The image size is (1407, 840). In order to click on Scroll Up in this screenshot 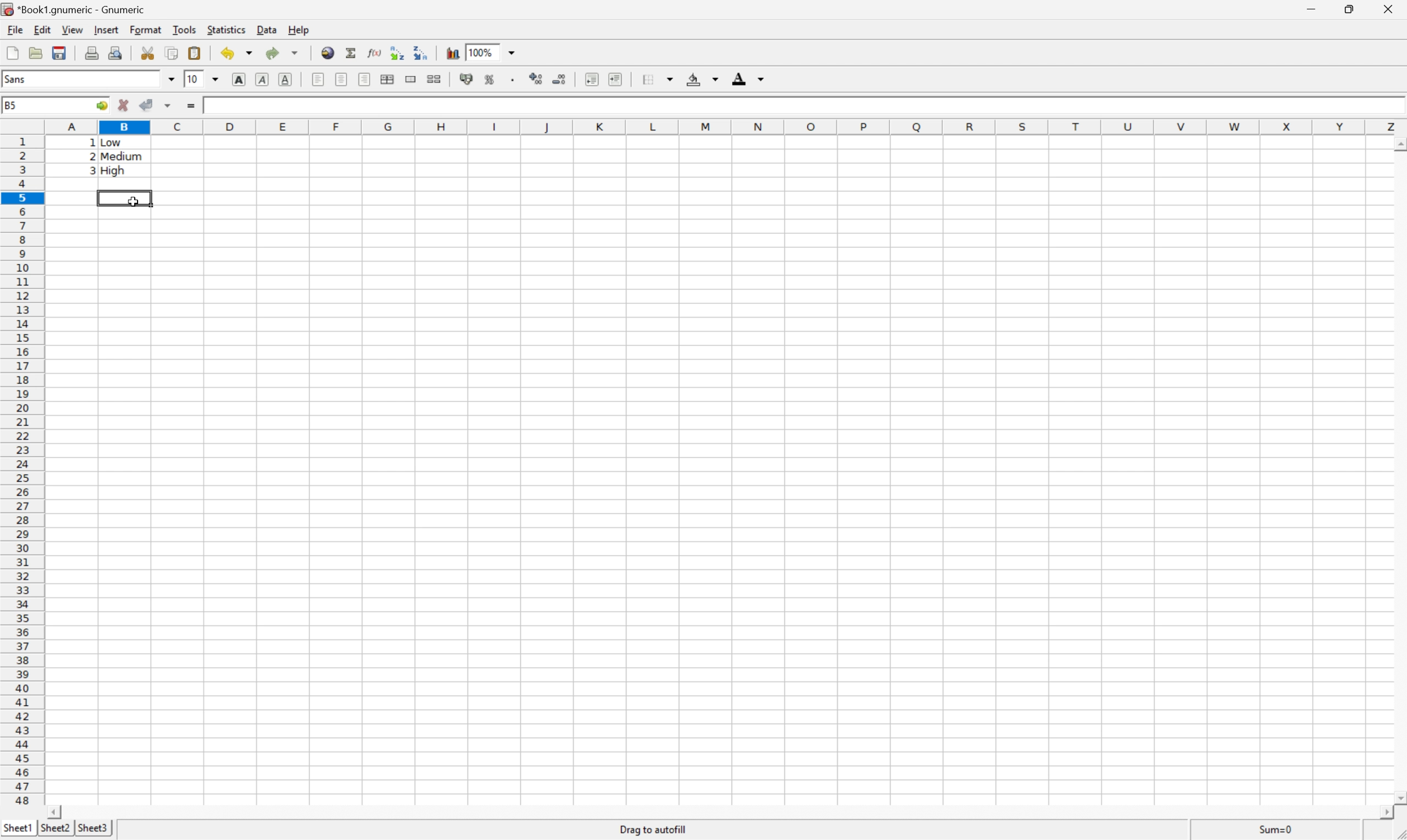, I will do `click(1398, 144)`.